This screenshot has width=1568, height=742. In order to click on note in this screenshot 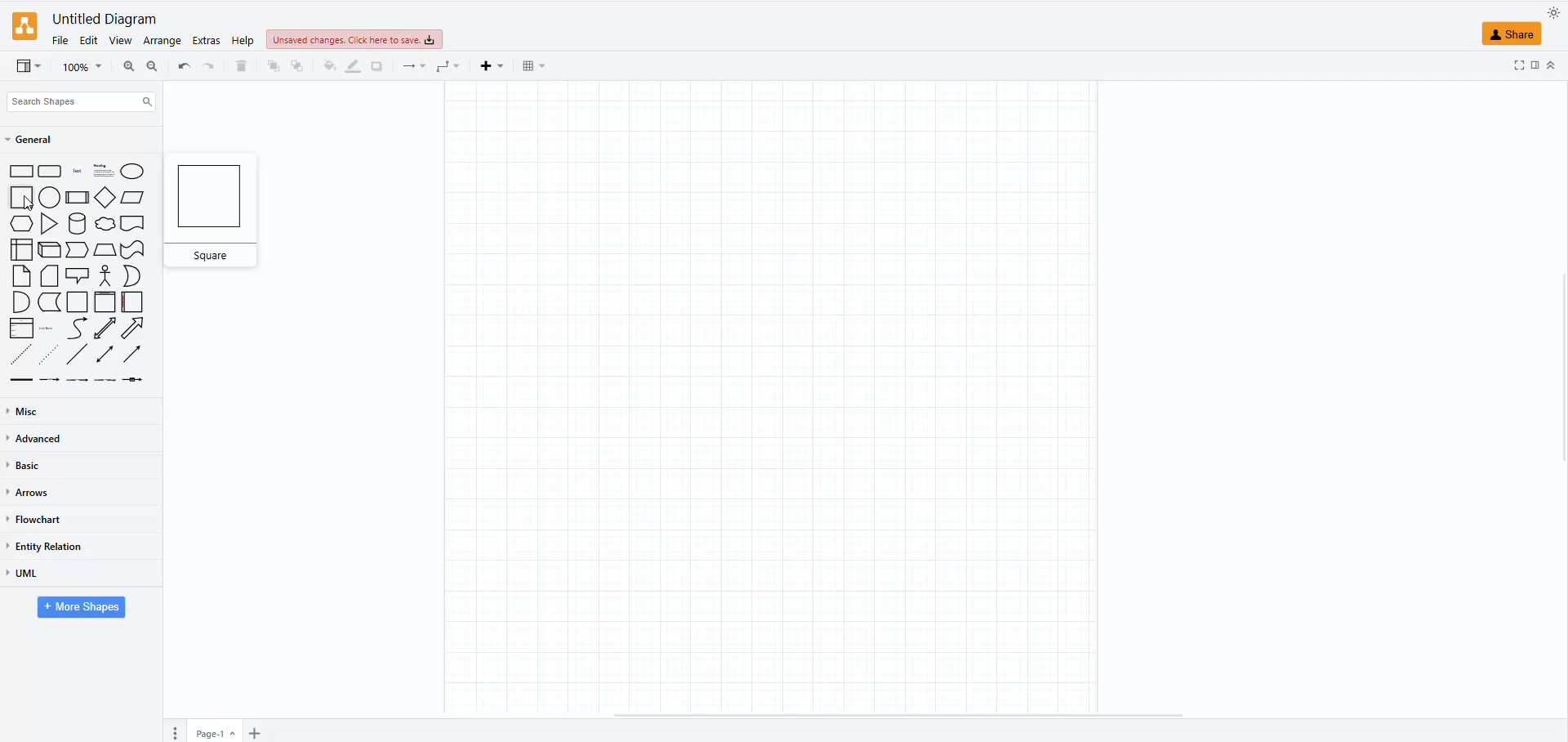, I will do `click(22, 275)`.